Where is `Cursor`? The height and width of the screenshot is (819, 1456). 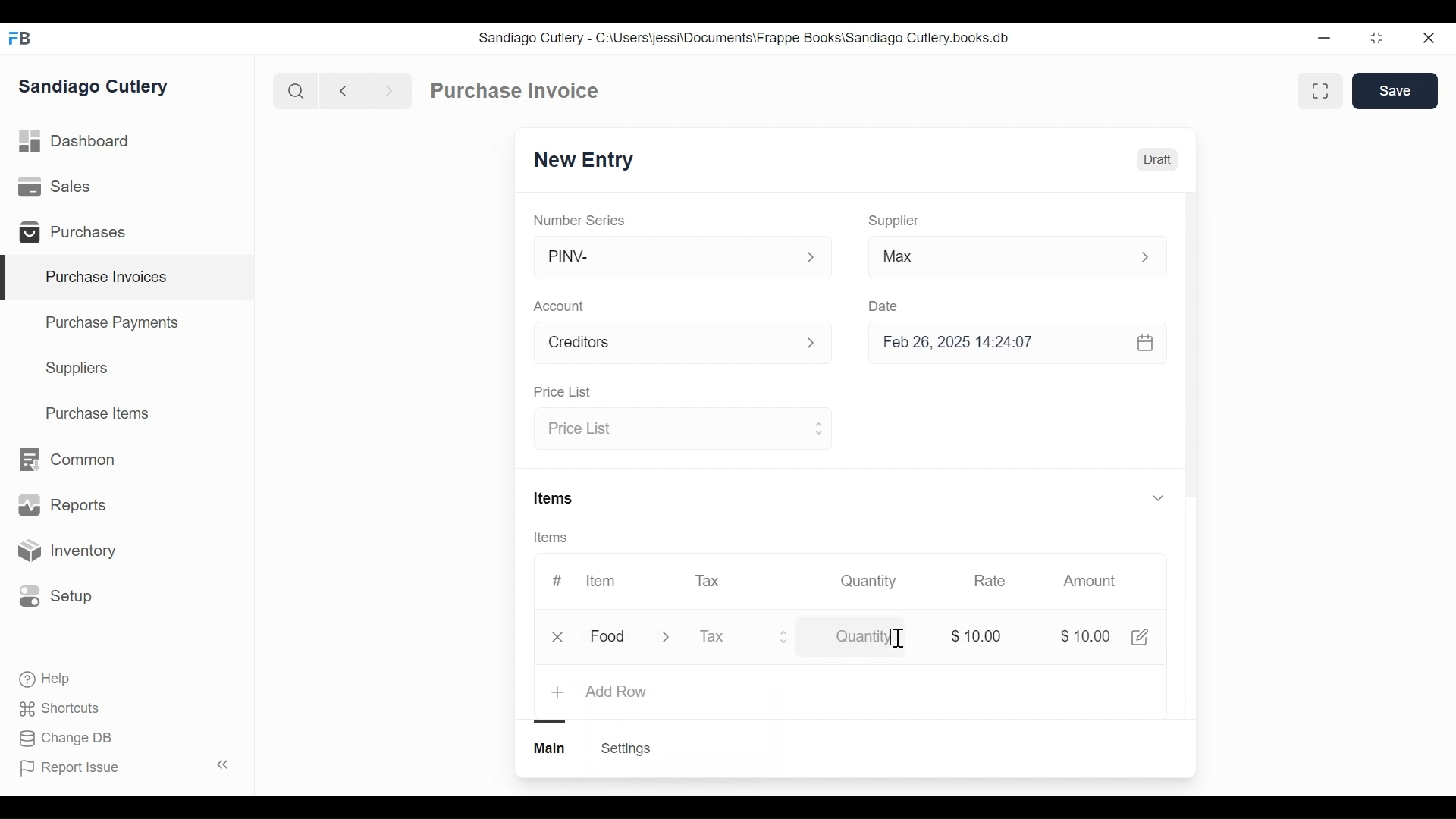 Cursor is located at coordinates (897, 639).